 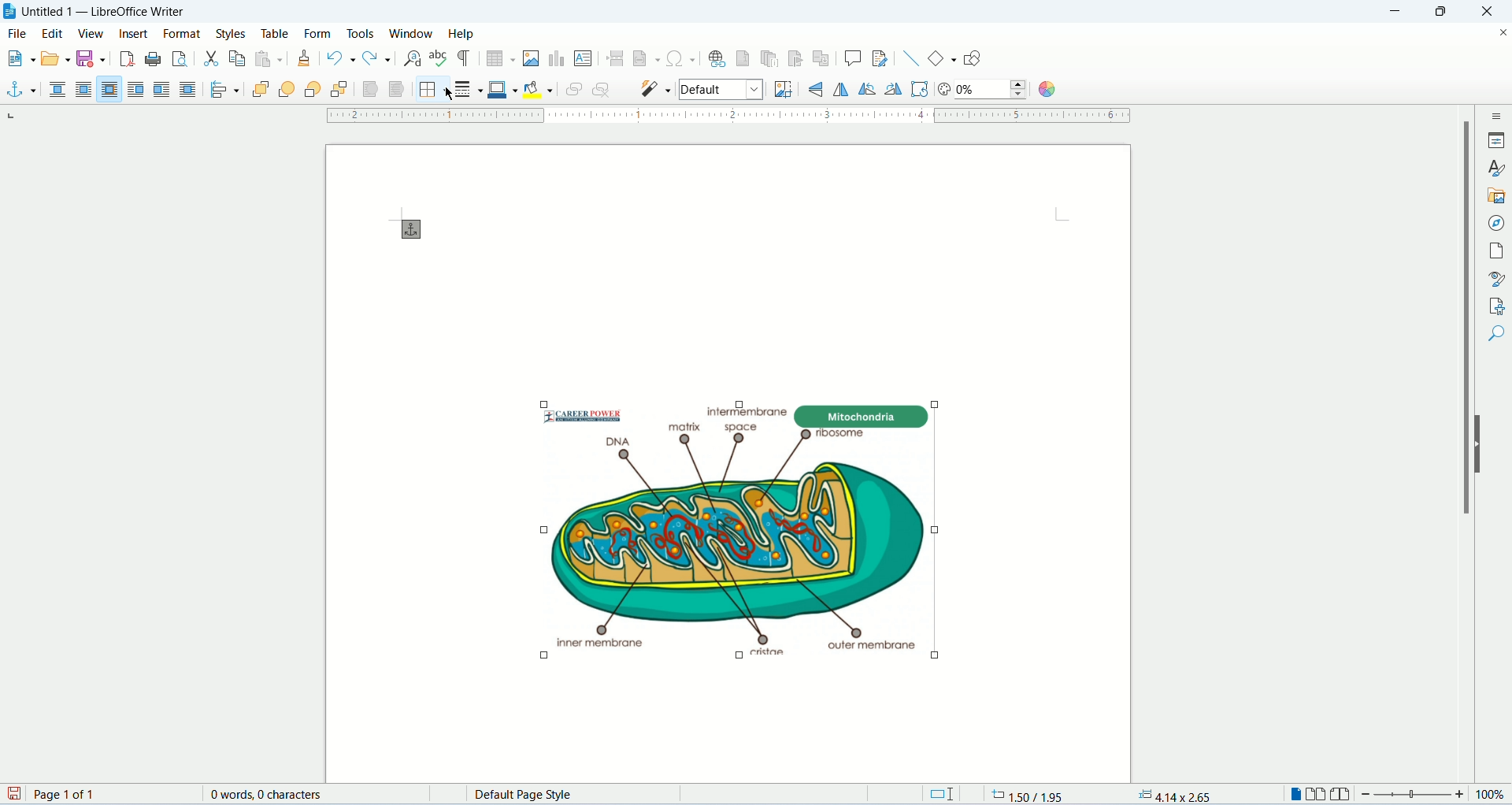 What do you see at coordinates (974, 57) in the screenshot?
I see `show draw functions` at bounding box center [974, 57].